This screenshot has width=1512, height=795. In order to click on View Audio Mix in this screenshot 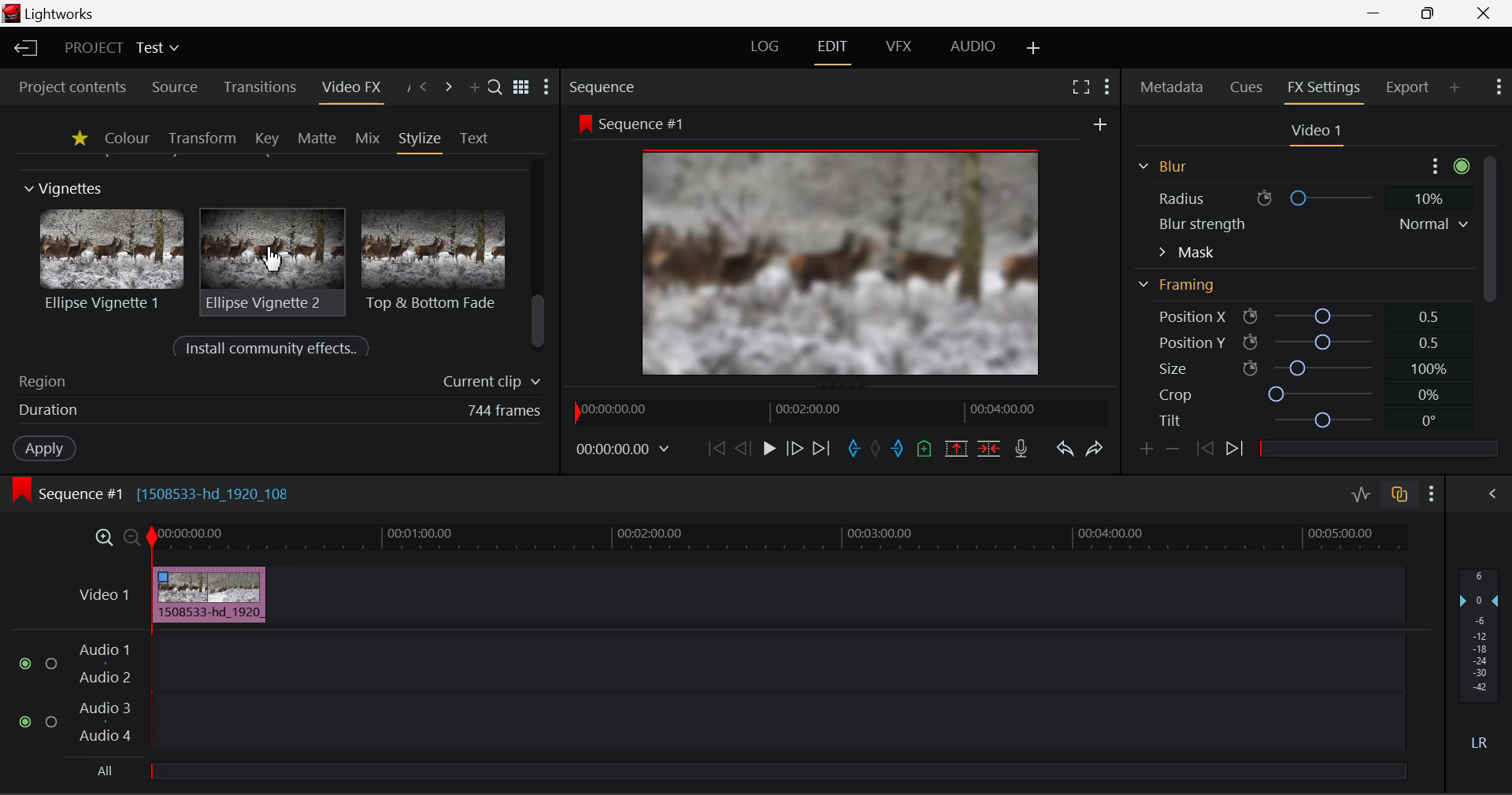, I will do `click(1493, 492)`.